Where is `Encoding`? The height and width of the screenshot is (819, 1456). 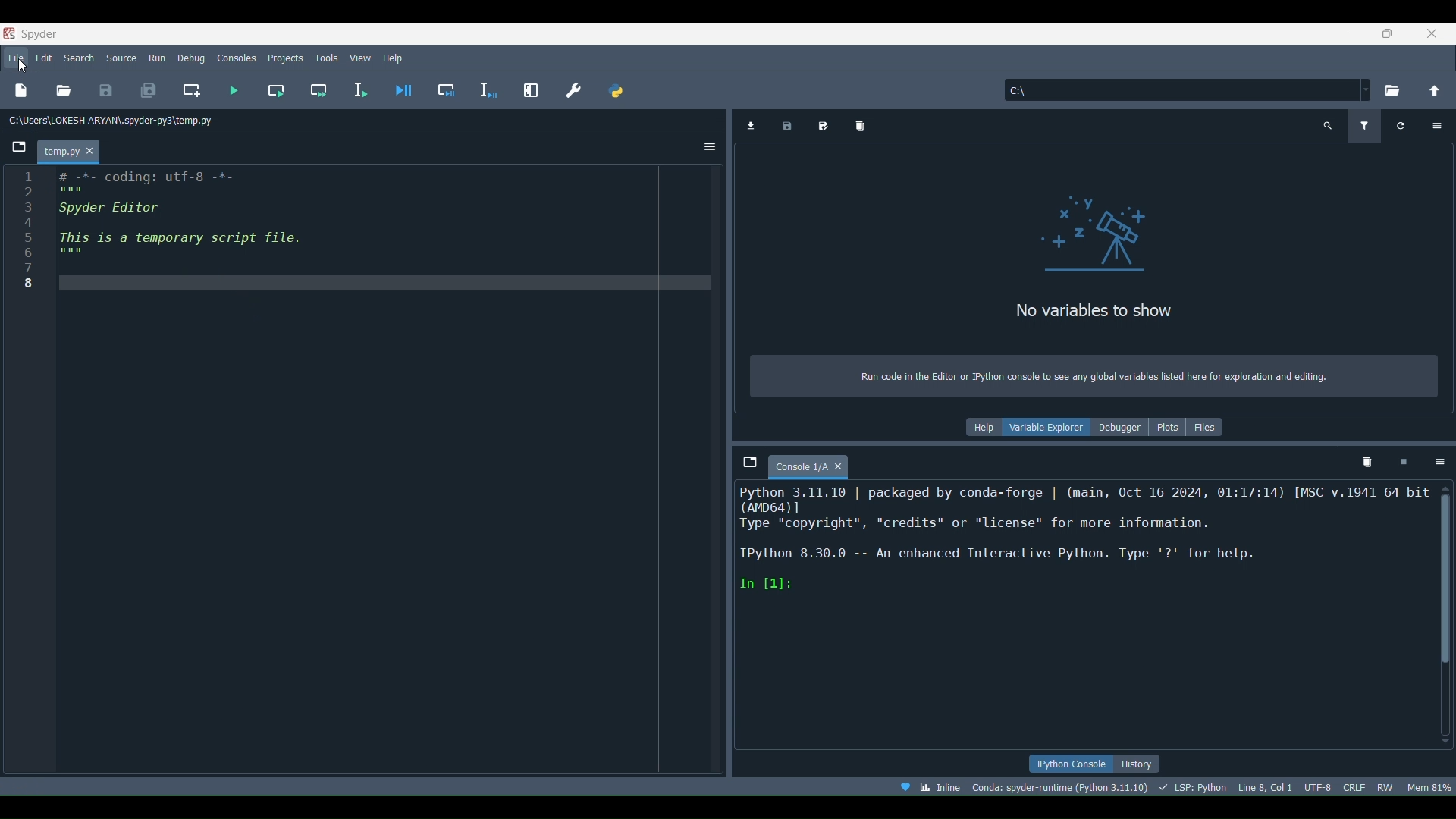
Encoding is located at coordinates (1318, 786).